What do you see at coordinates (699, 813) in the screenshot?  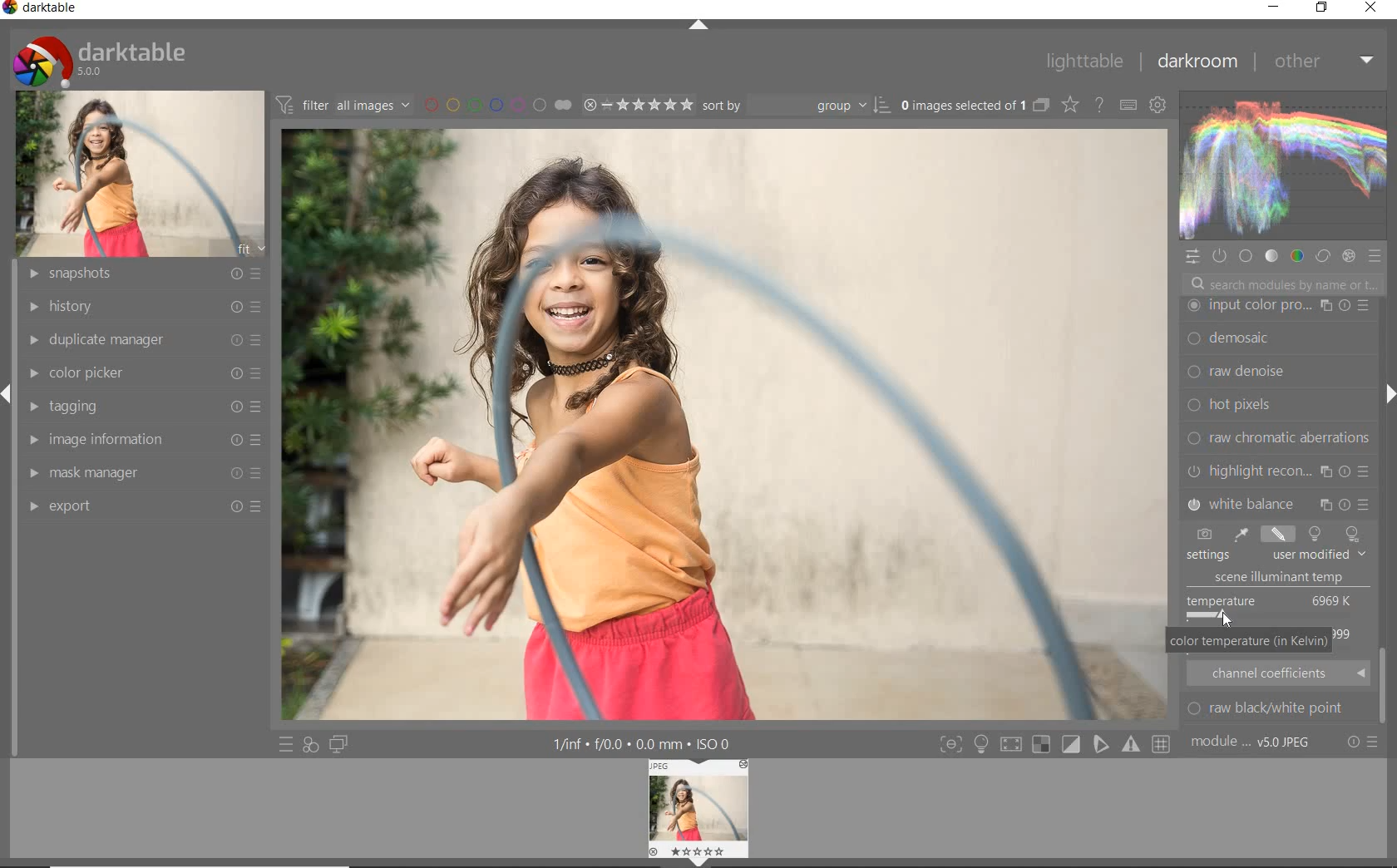 I see `image preview` at bounding box center [699, 813].